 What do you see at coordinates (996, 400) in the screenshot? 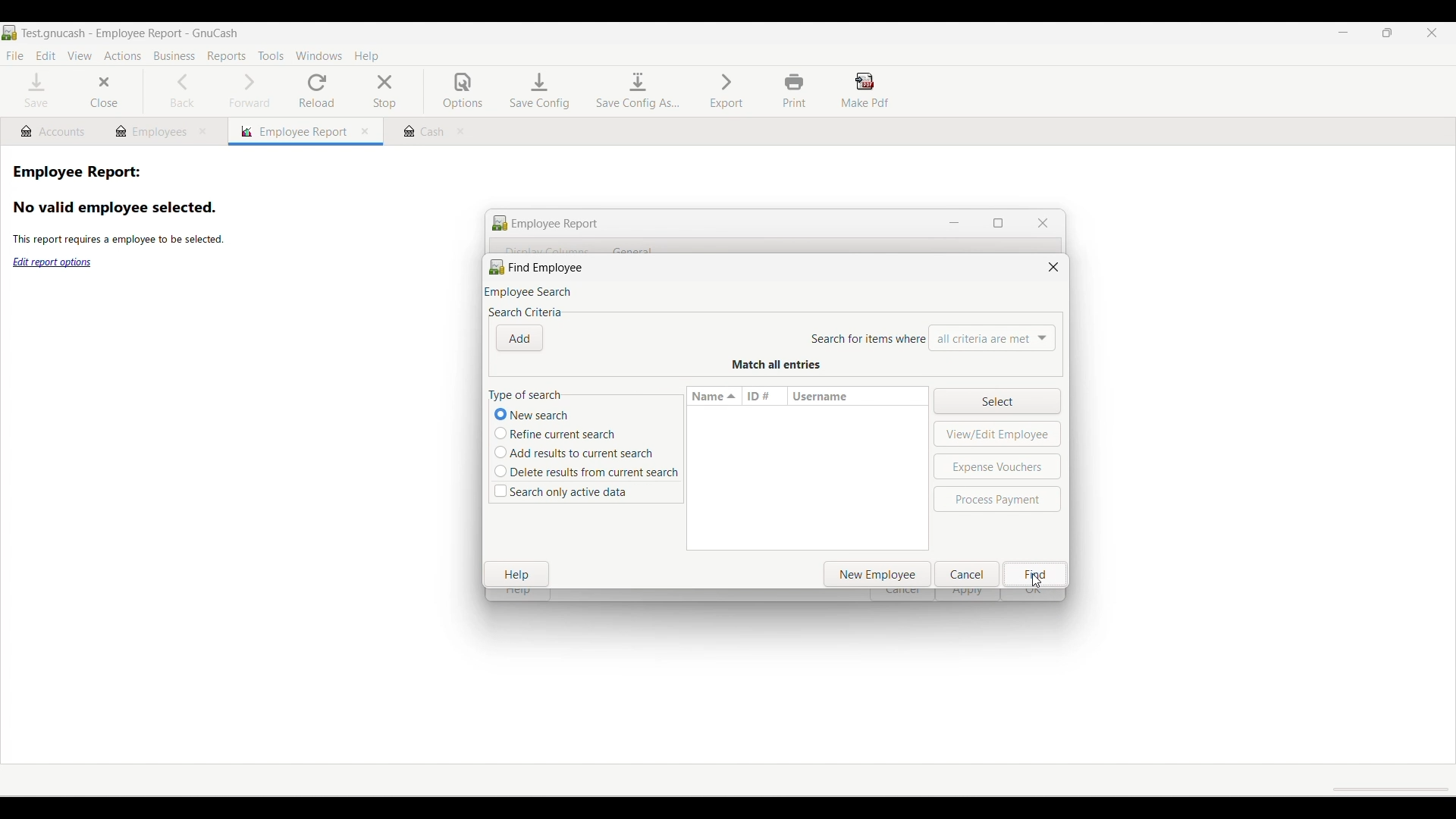
I see `Select` at bounding box center [996, 400].